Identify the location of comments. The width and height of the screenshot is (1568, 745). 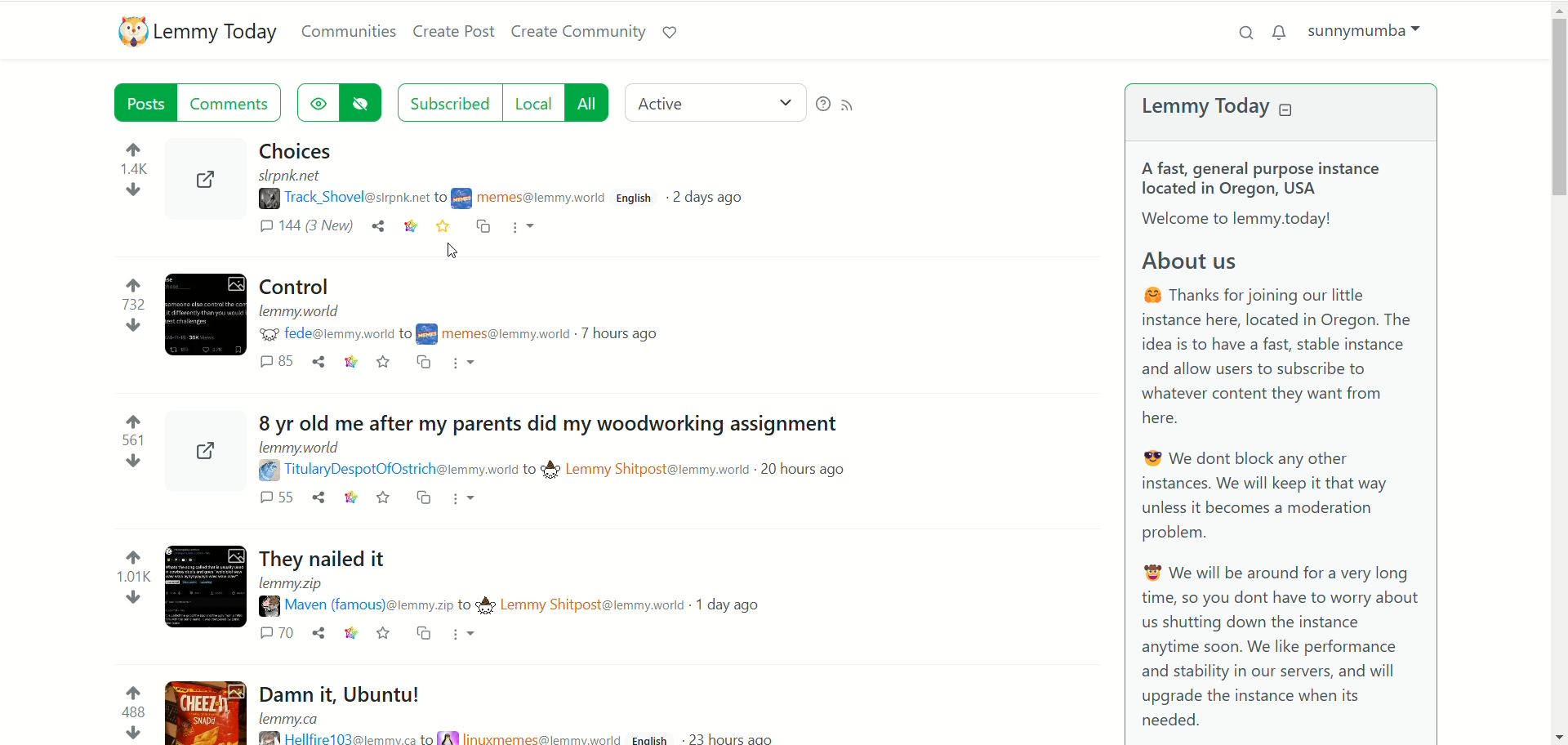
(274, 636).